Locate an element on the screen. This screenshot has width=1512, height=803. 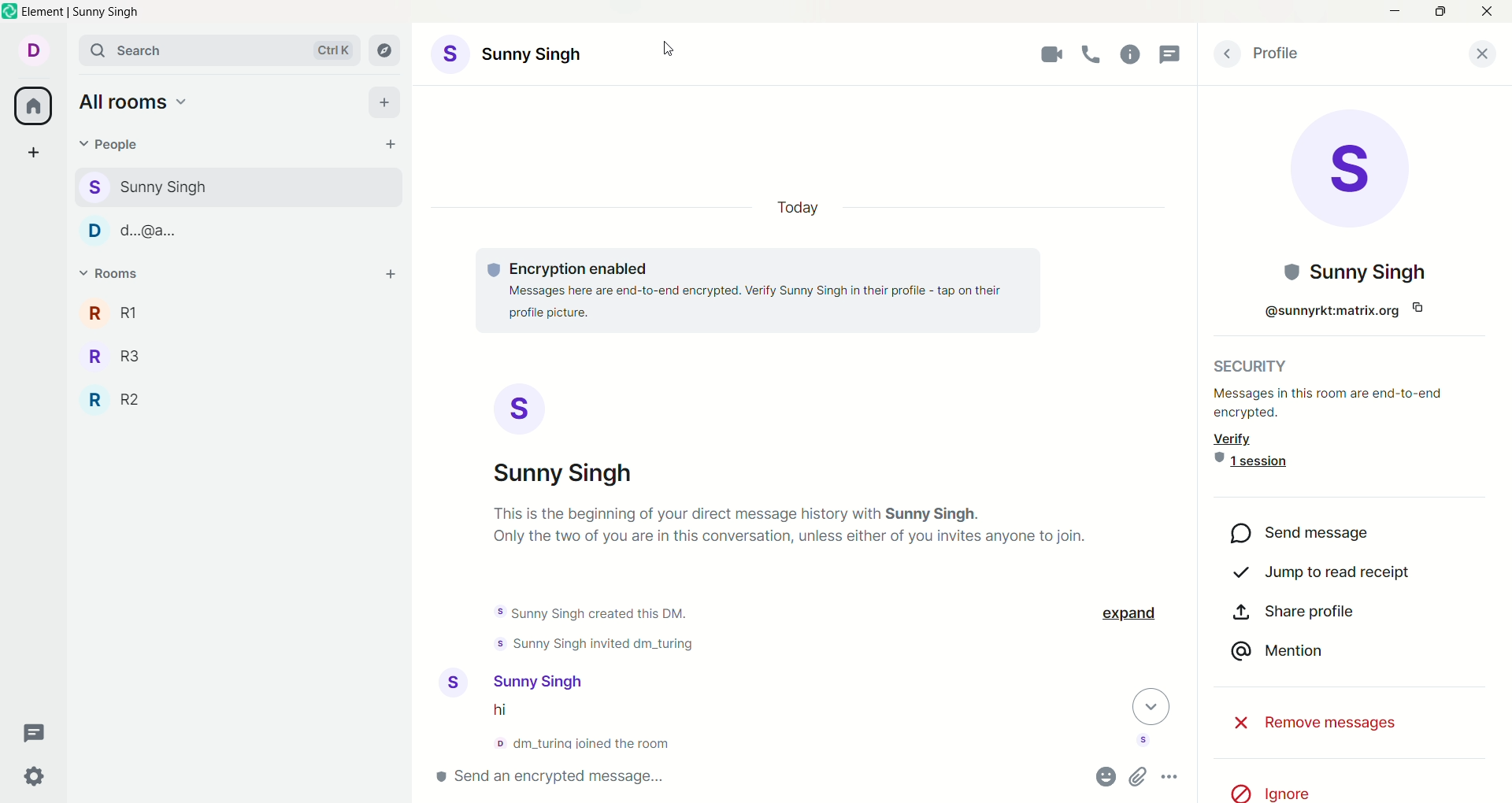
account is located at coordinates (510, 682).